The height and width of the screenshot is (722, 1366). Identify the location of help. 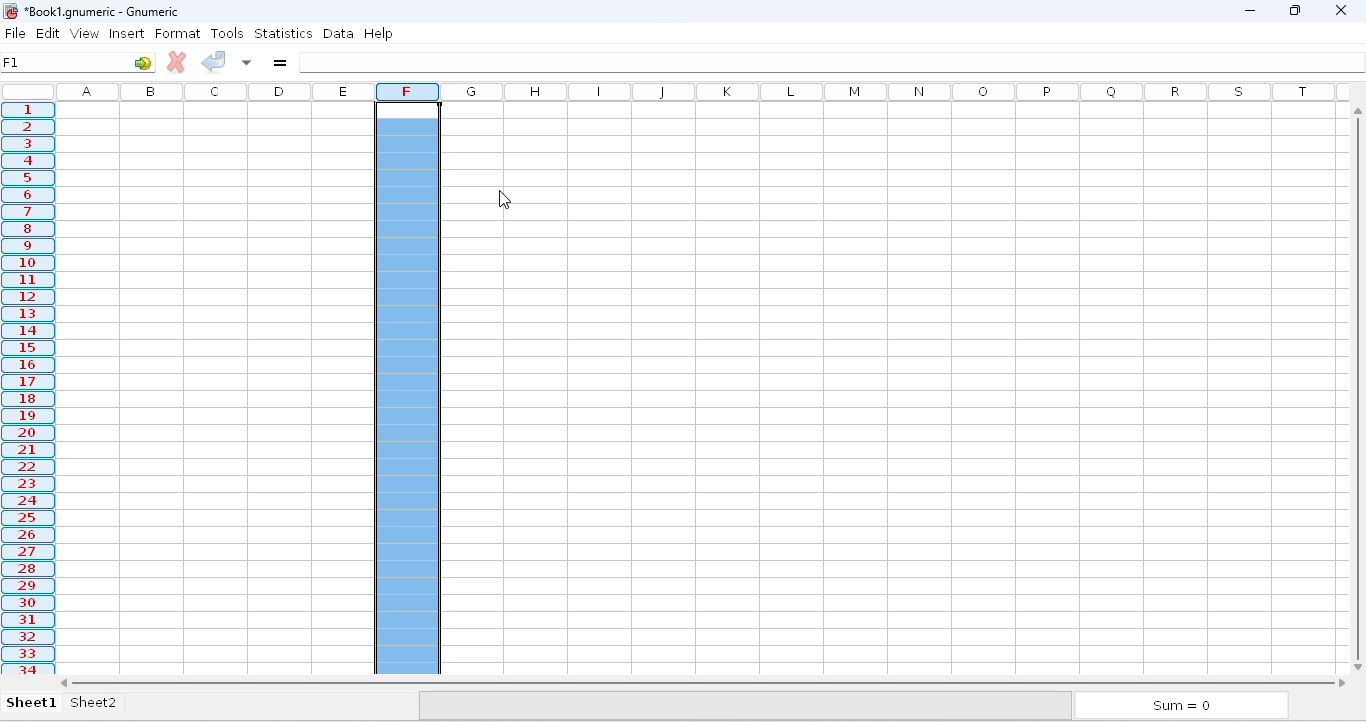
(379, 32).